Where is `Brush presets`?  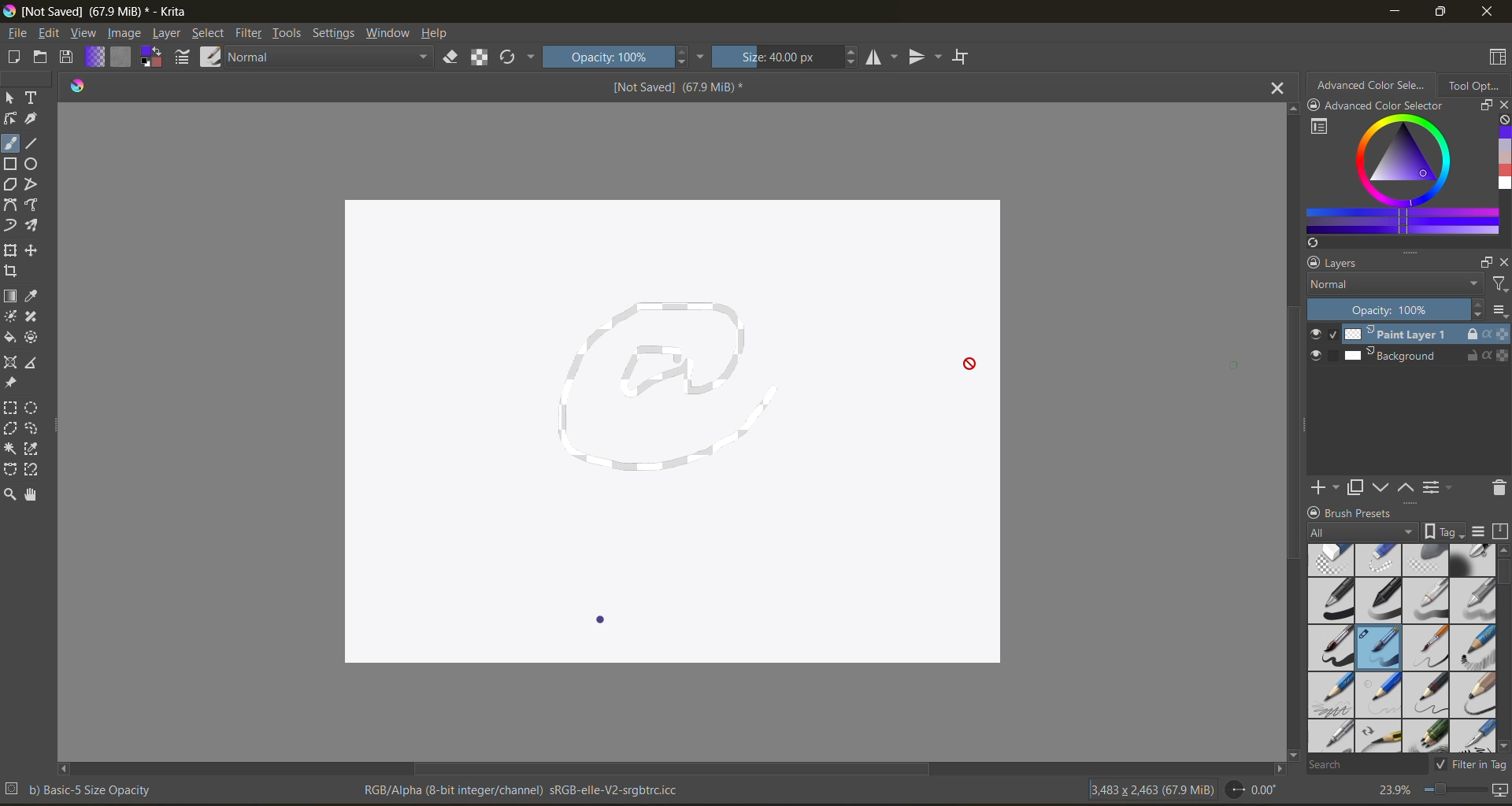 Brush presets is located at coordinates (1359, 512).